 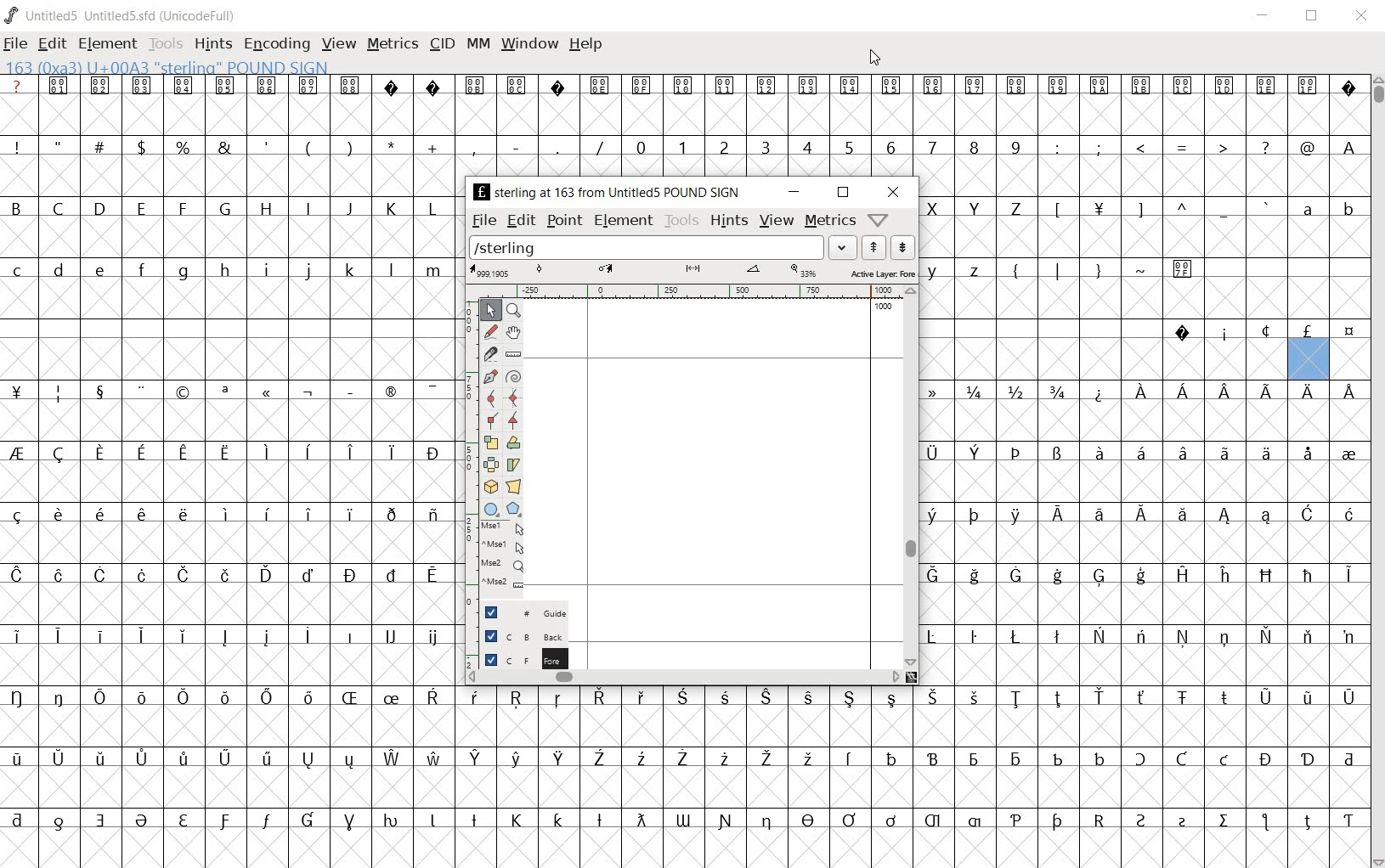 I want to click on Active layer, so click(x=692, y=272).